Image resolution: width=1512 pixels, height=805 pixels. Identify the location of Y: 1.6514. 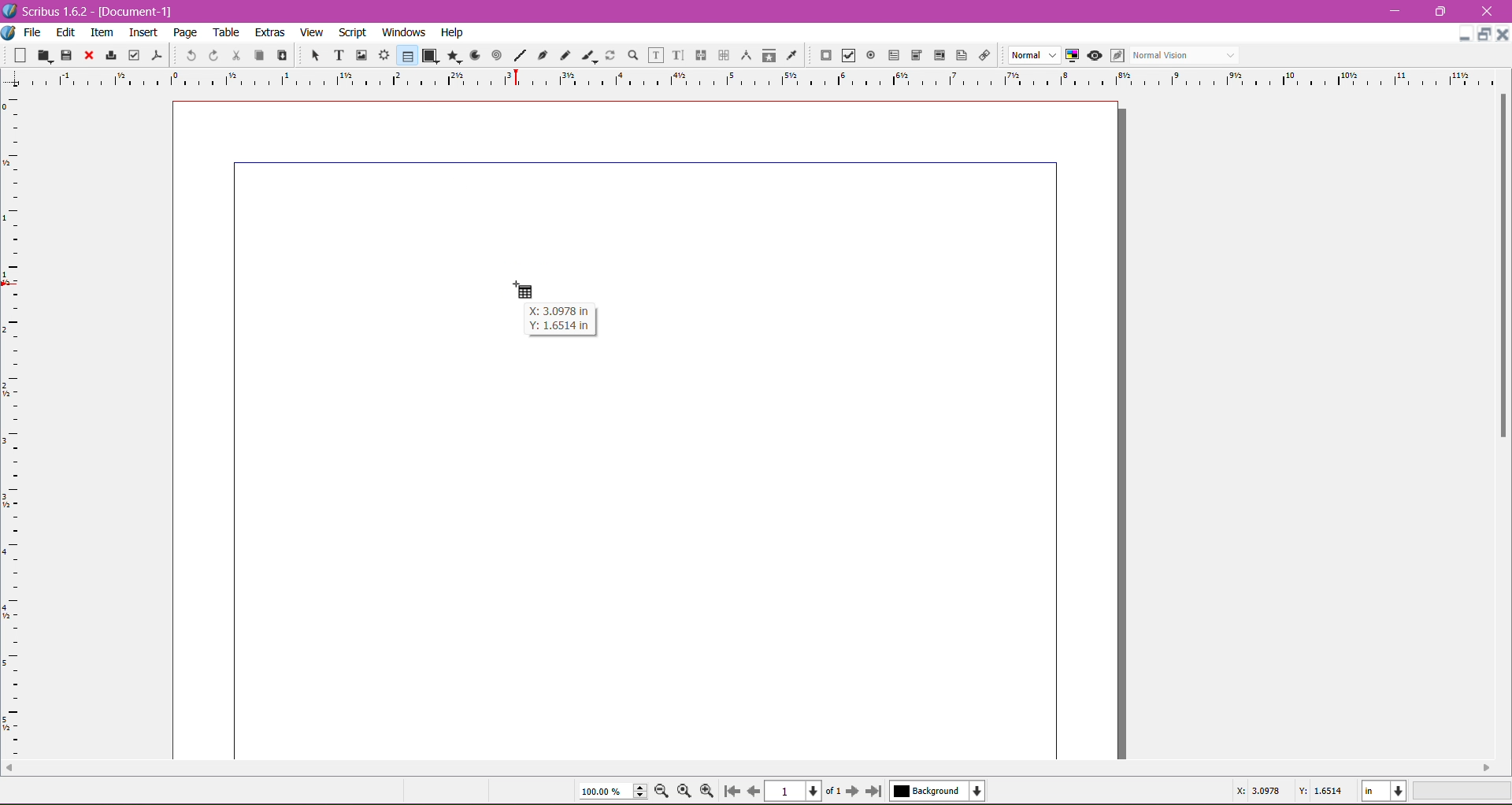
(1320, 791).